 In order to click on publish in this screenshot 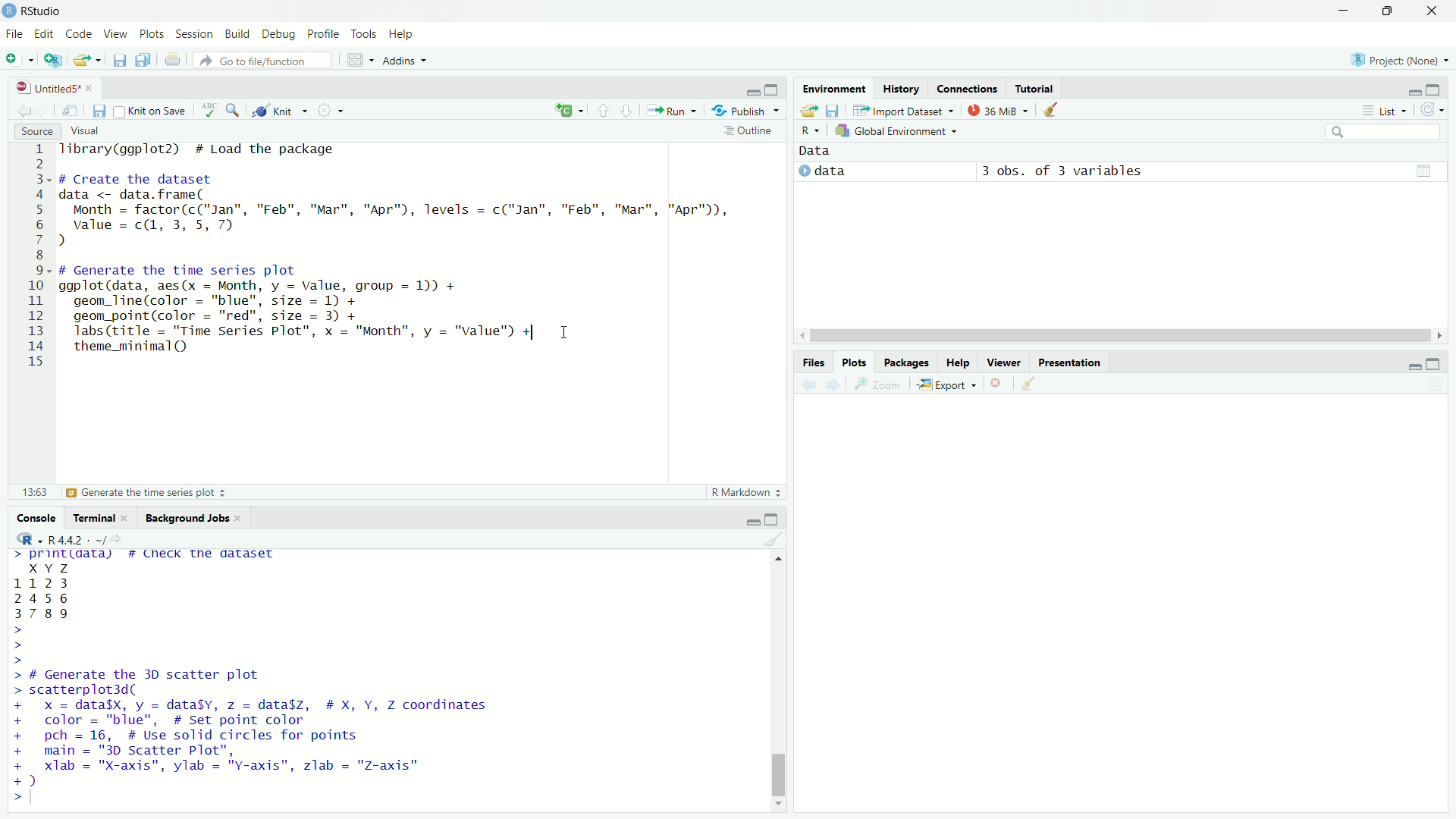, I will do `click(748, 109)`.